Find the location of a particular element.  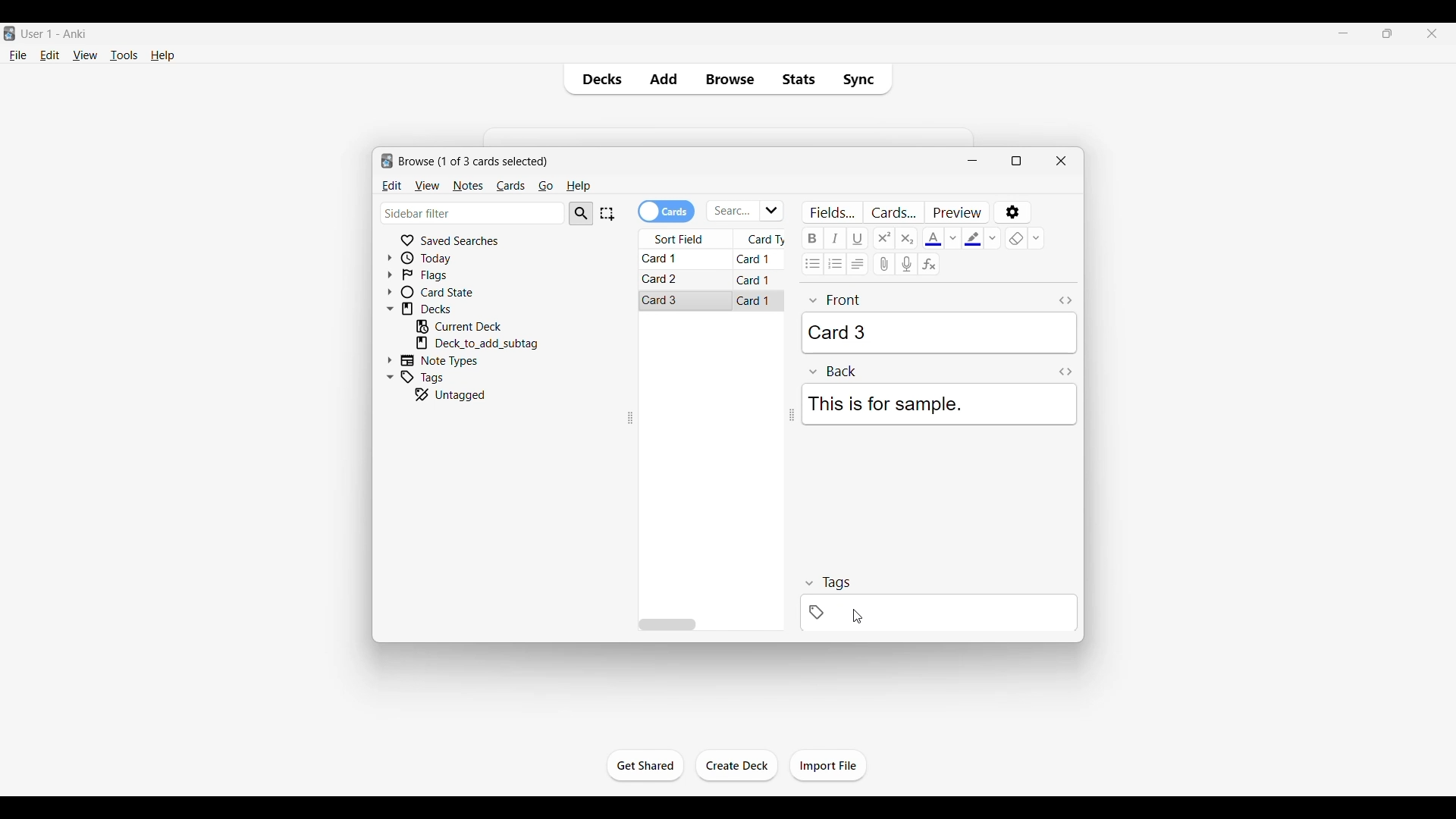

logo is located at coordinates (385, 162).